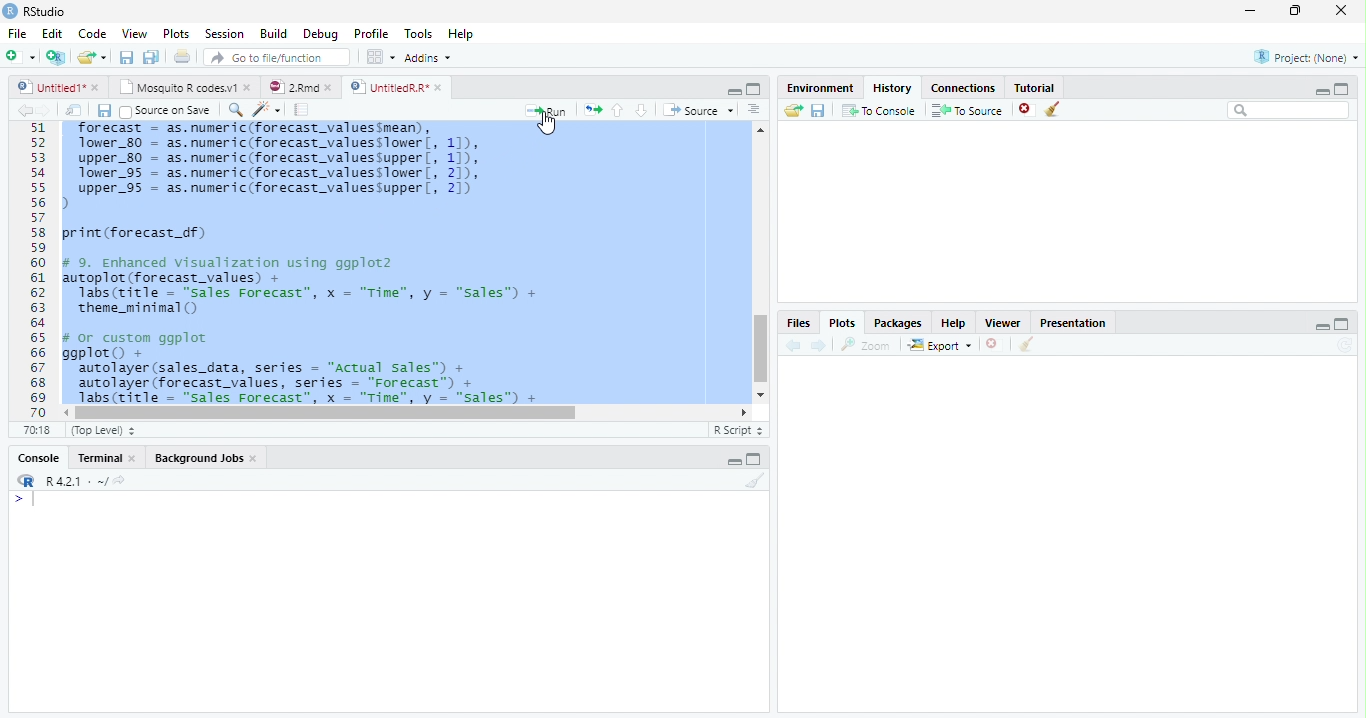 This screenshot has height=718, width=1366. Describe the element at coordinates (992, 343) in the screenshot. I see `Delete` at that location.